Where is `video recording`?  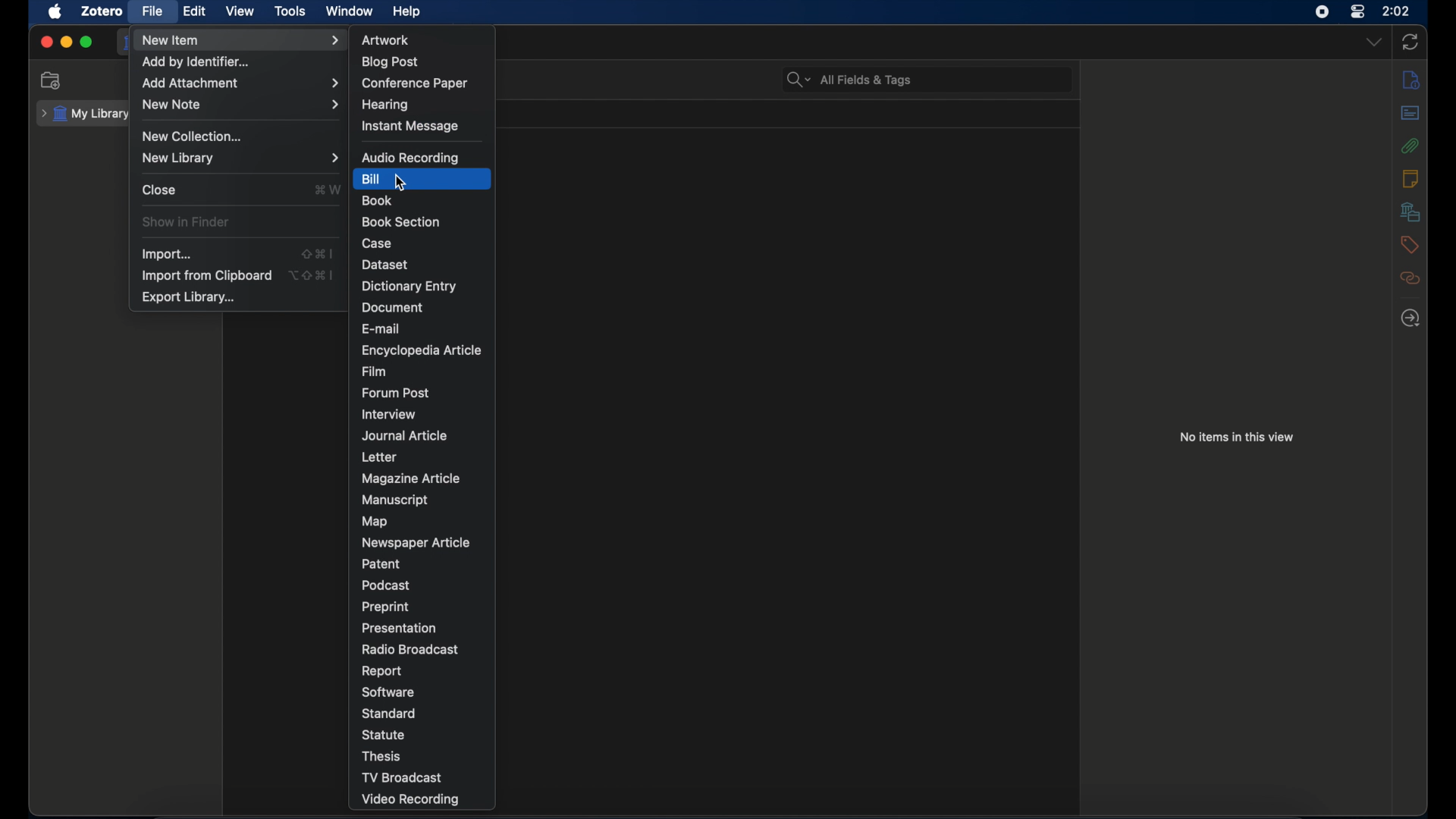
video recording is located at coordinates (413, 800).